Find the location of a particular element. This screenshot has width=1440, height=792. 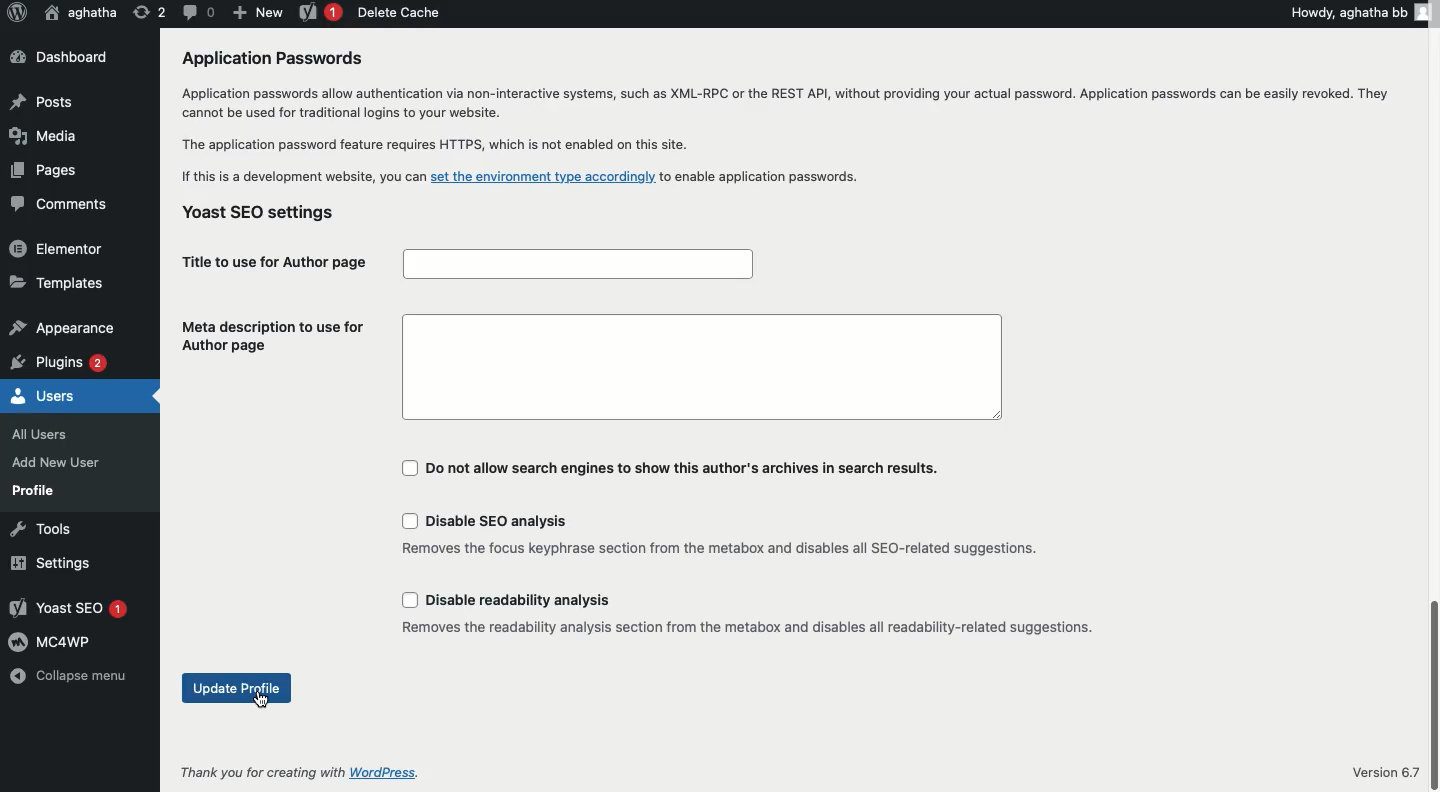

Elementor is located at coordinates (58, 247).